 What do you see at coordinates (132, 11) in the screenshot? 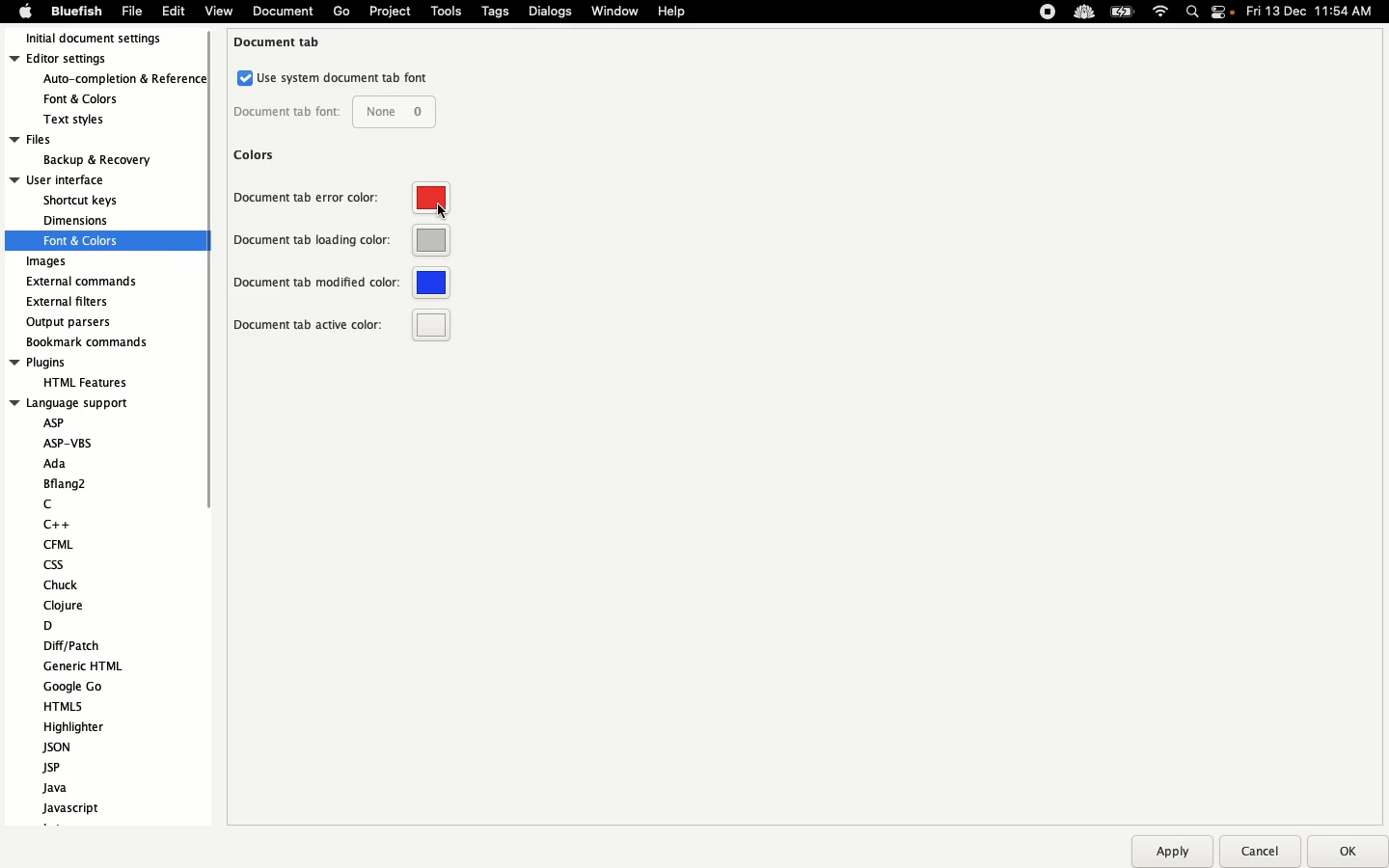
I see `File` at bounding box center [132, 11].